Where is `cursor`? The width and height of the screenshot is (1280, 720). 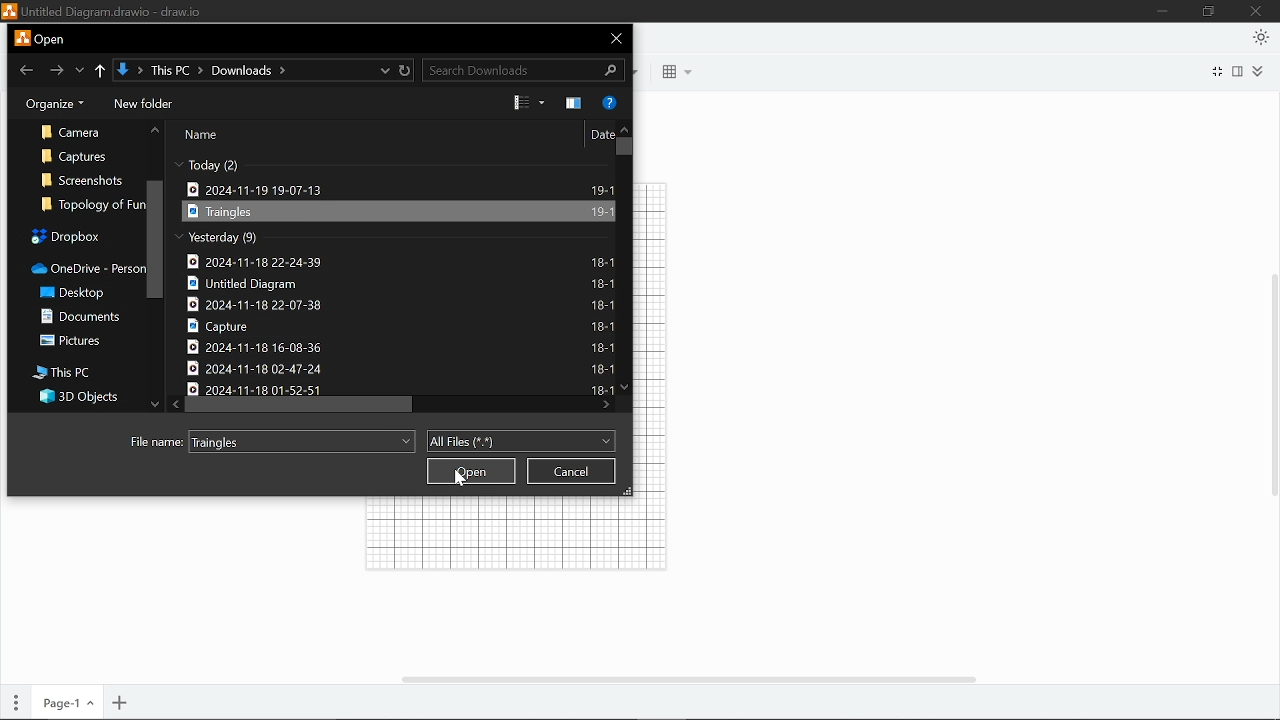 cursor is located at coordinates (463, 478).